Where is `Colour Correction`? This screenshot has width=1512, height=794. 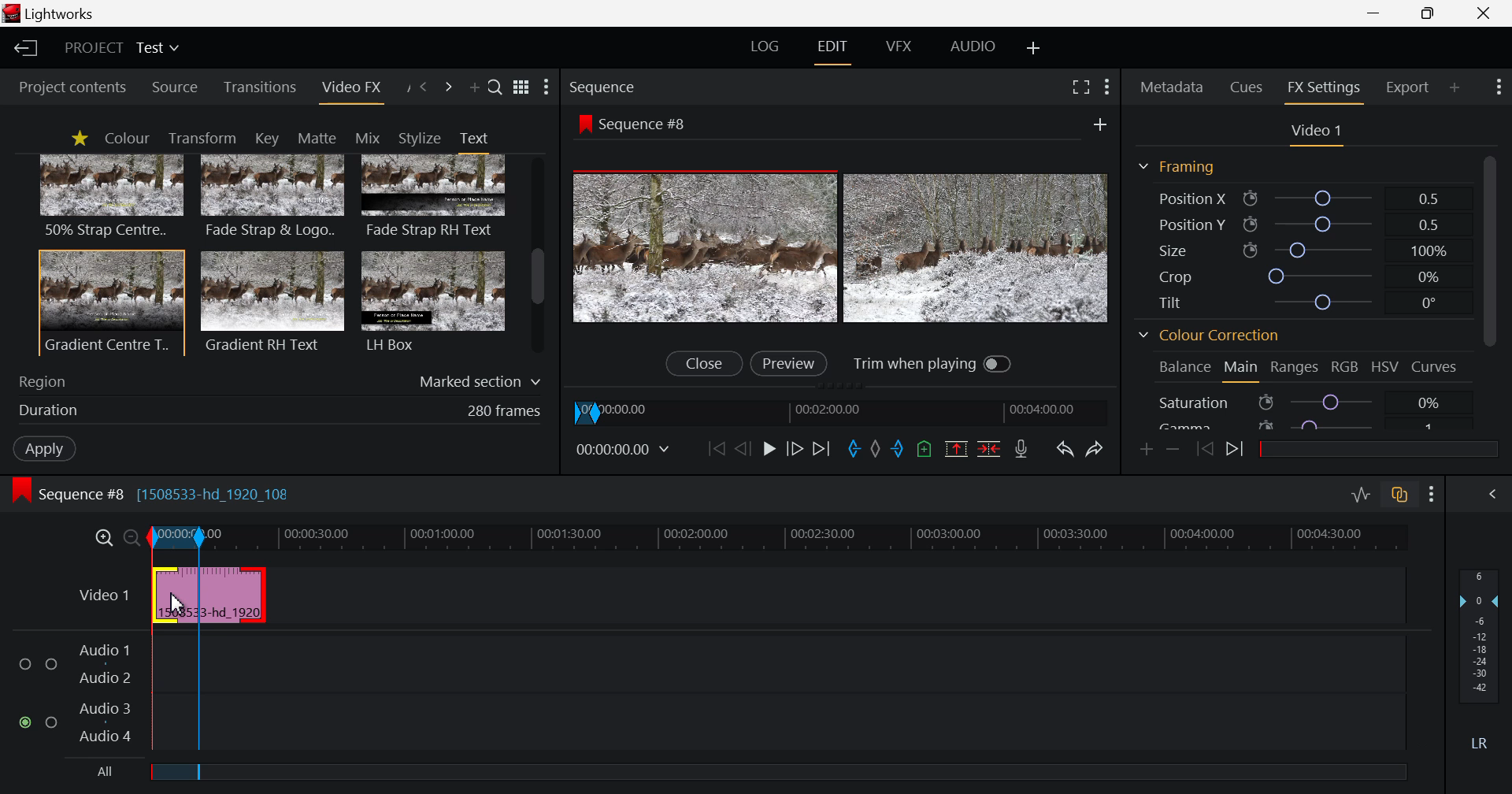 Colour Correction is located at coordinates (1214, 338).